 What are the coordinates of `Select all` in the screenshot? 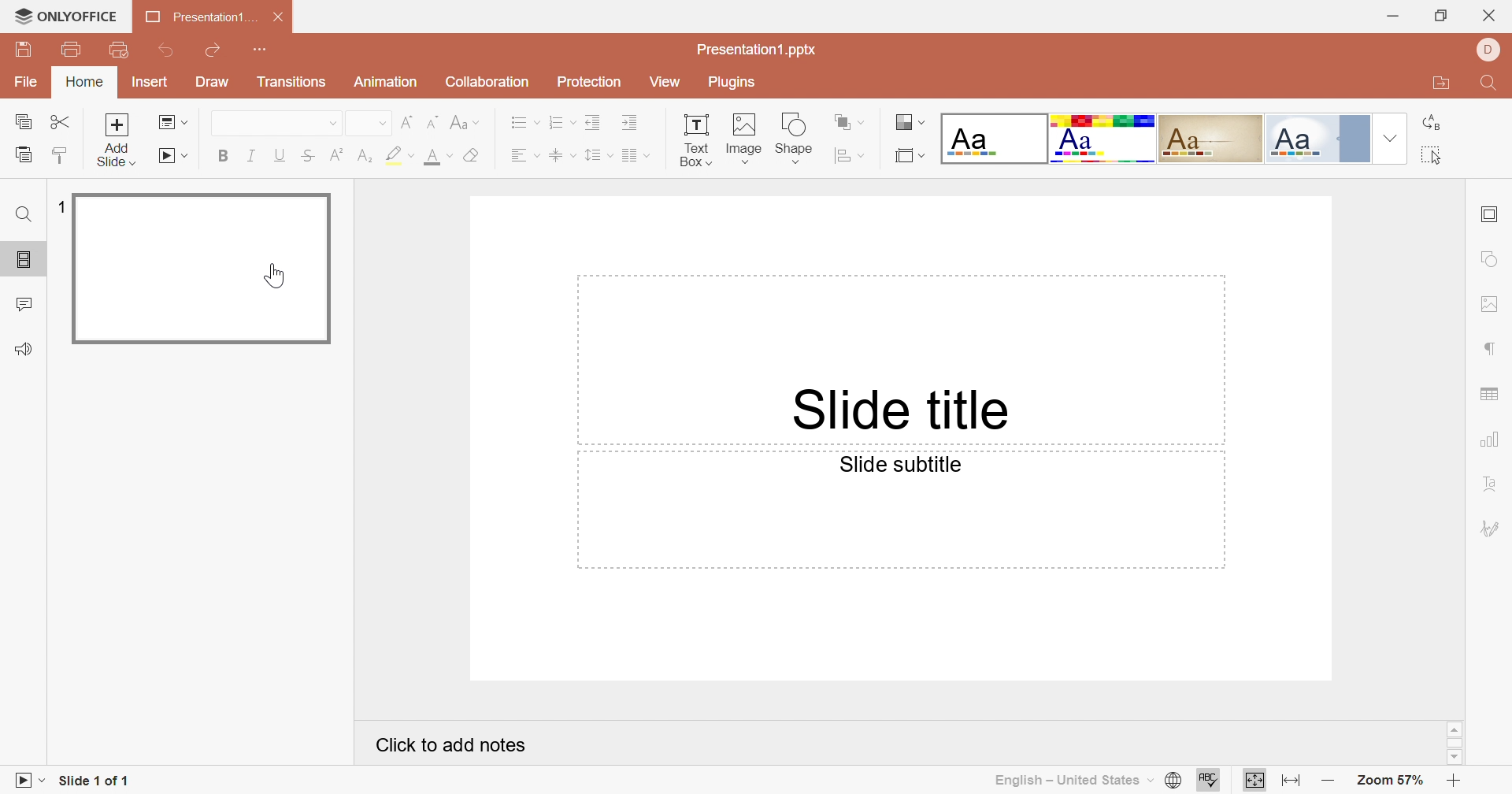 It's located at (1432, 157).